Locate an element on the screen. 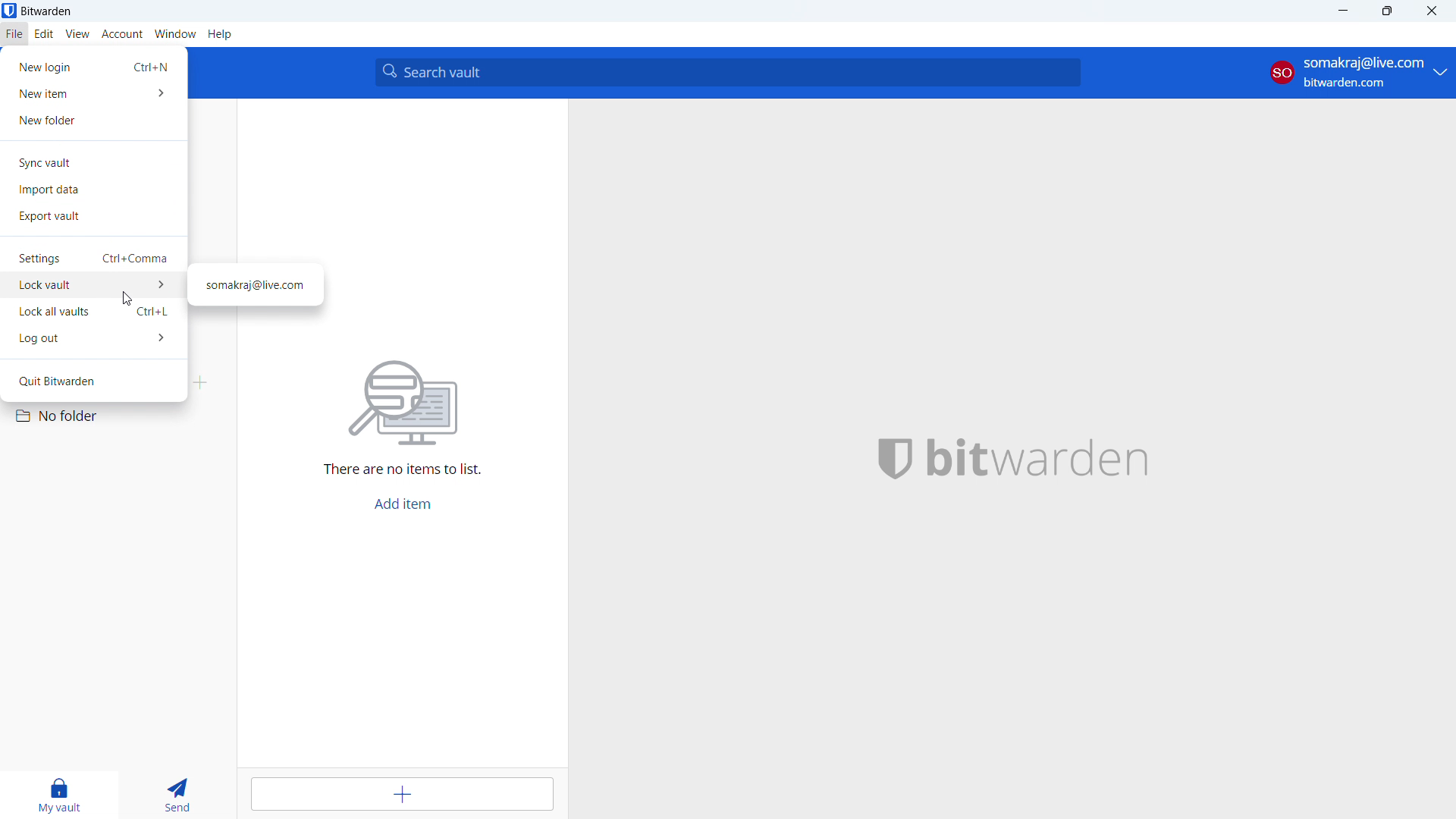 This screenshot has width=1456, height=819. import date is located at coordinates (94, 190).